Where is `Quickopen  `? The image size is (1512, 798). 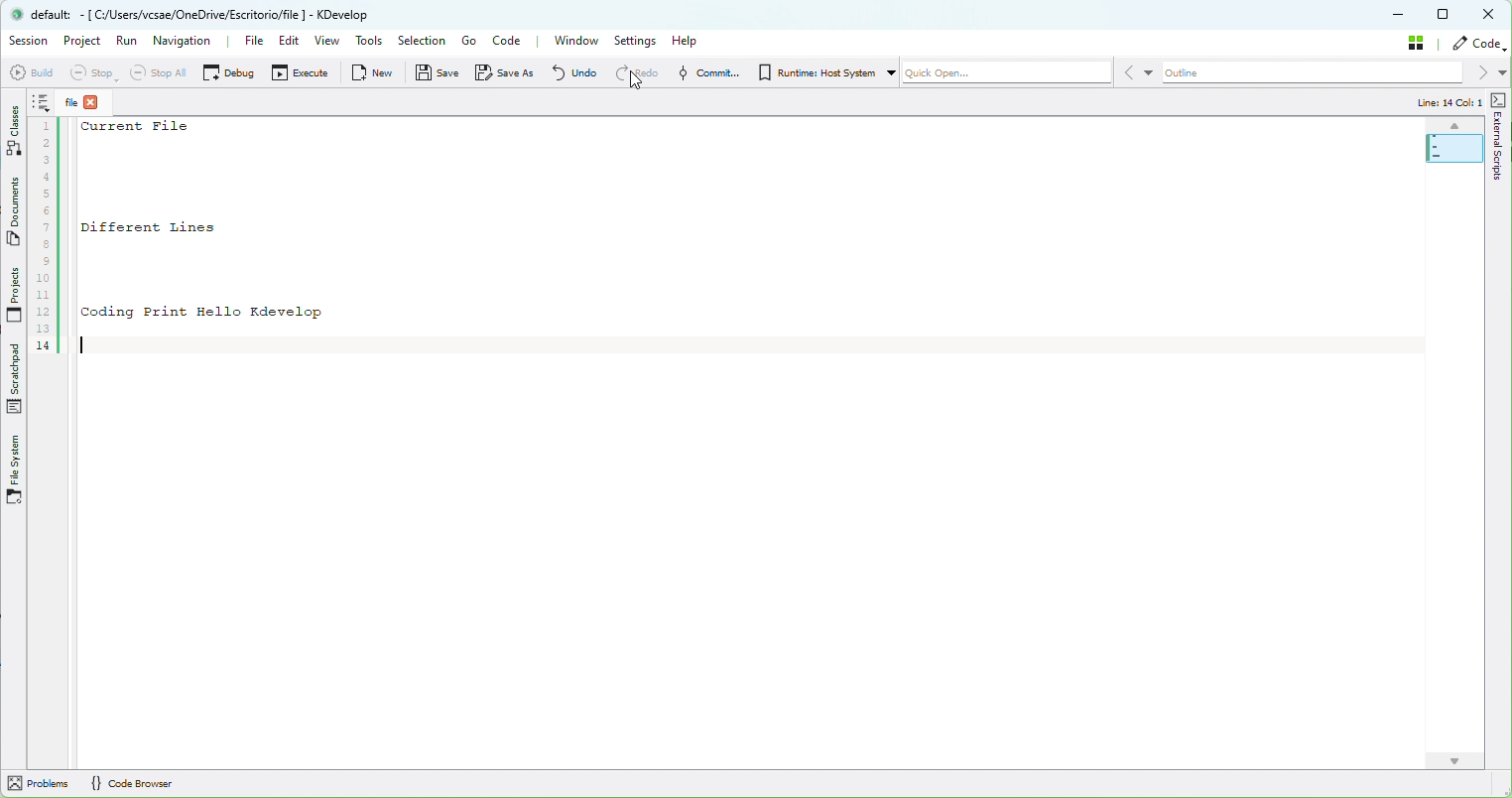 Quickopen   is located at coordinates (998, 74).